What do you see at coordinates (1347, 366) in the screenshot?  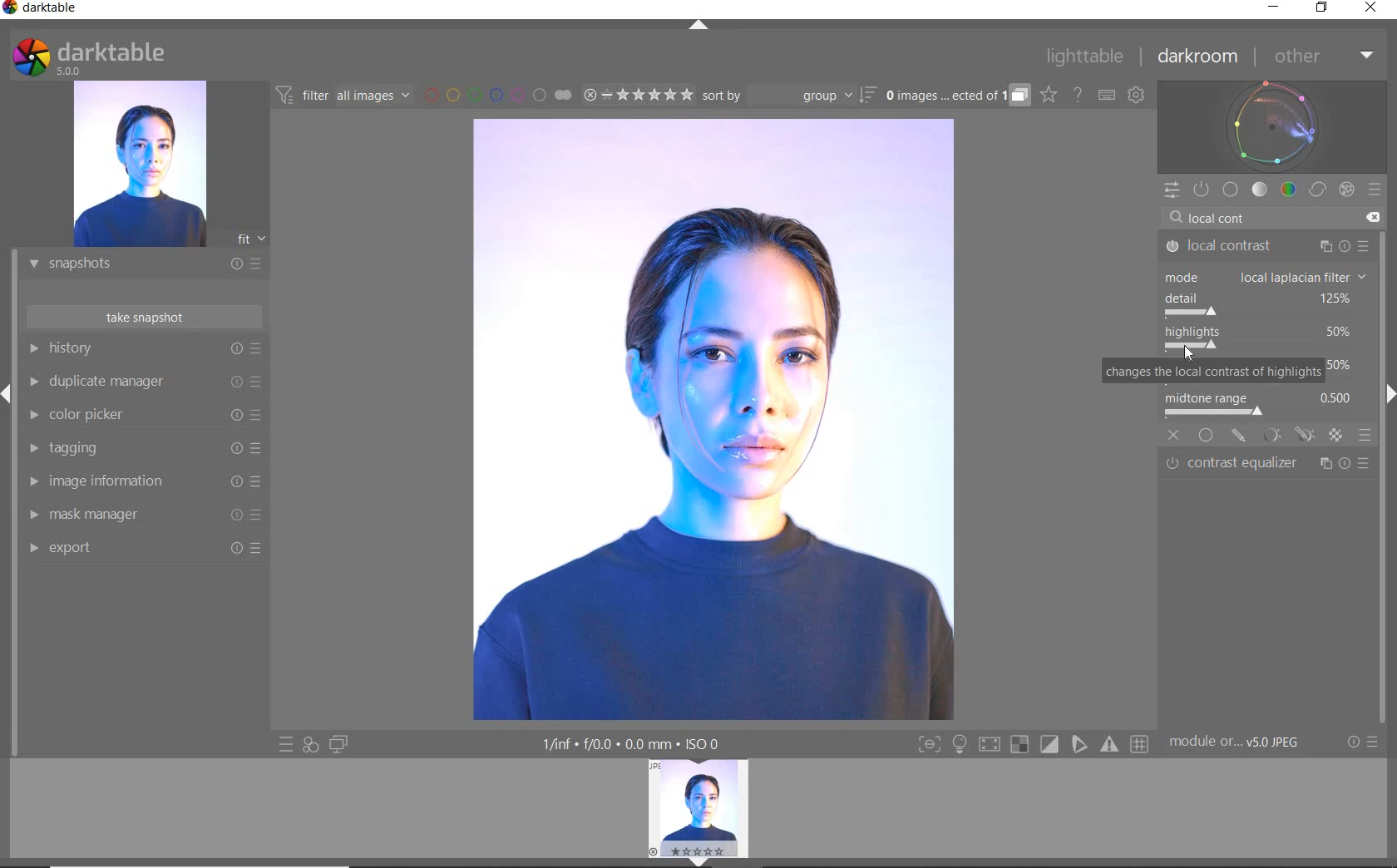 I see `contrast` at bounding box center [1347, 366].